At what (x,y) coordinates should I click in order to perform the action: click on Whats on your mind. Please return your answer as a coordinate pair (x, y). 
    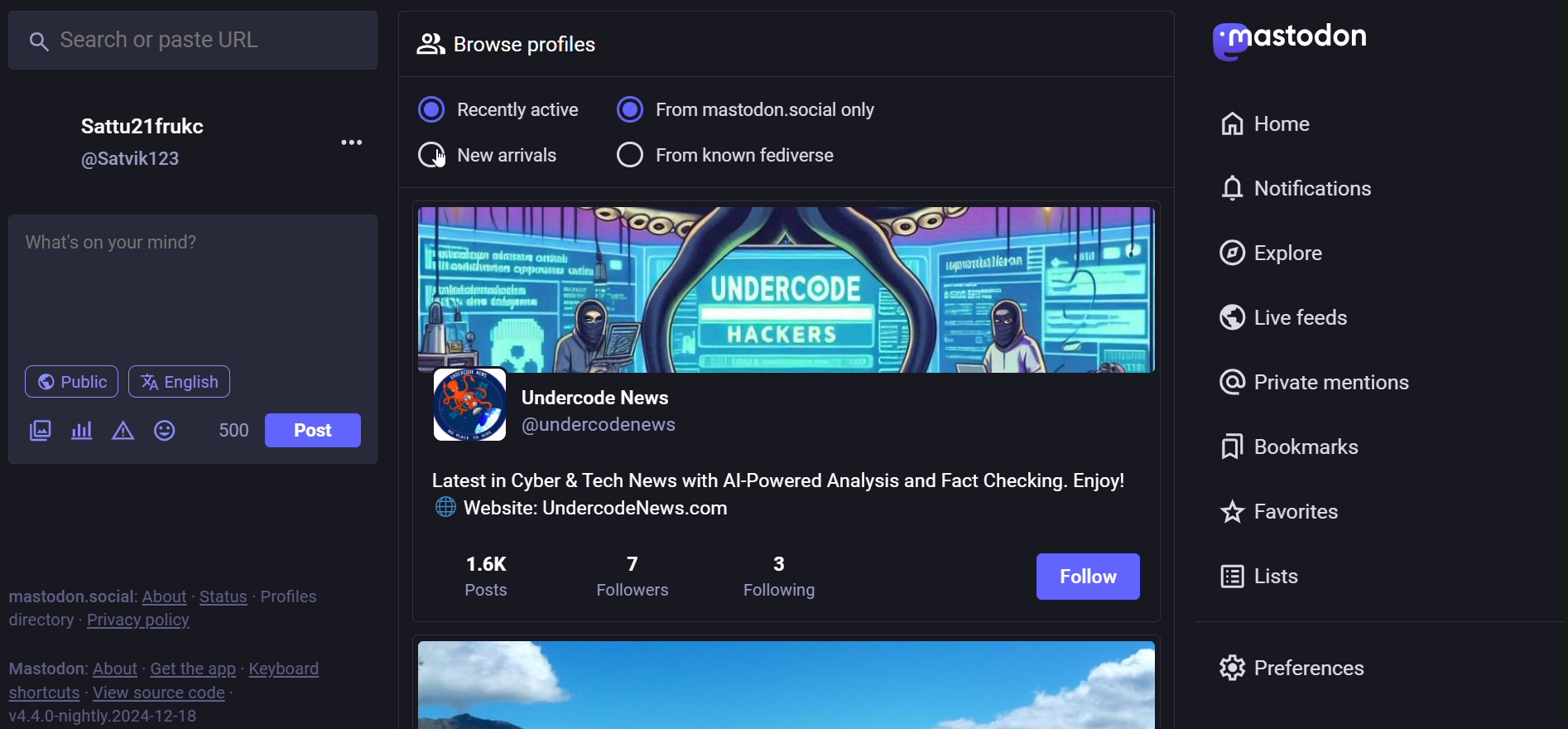
    Looking at the image, I should click on (192, 285).